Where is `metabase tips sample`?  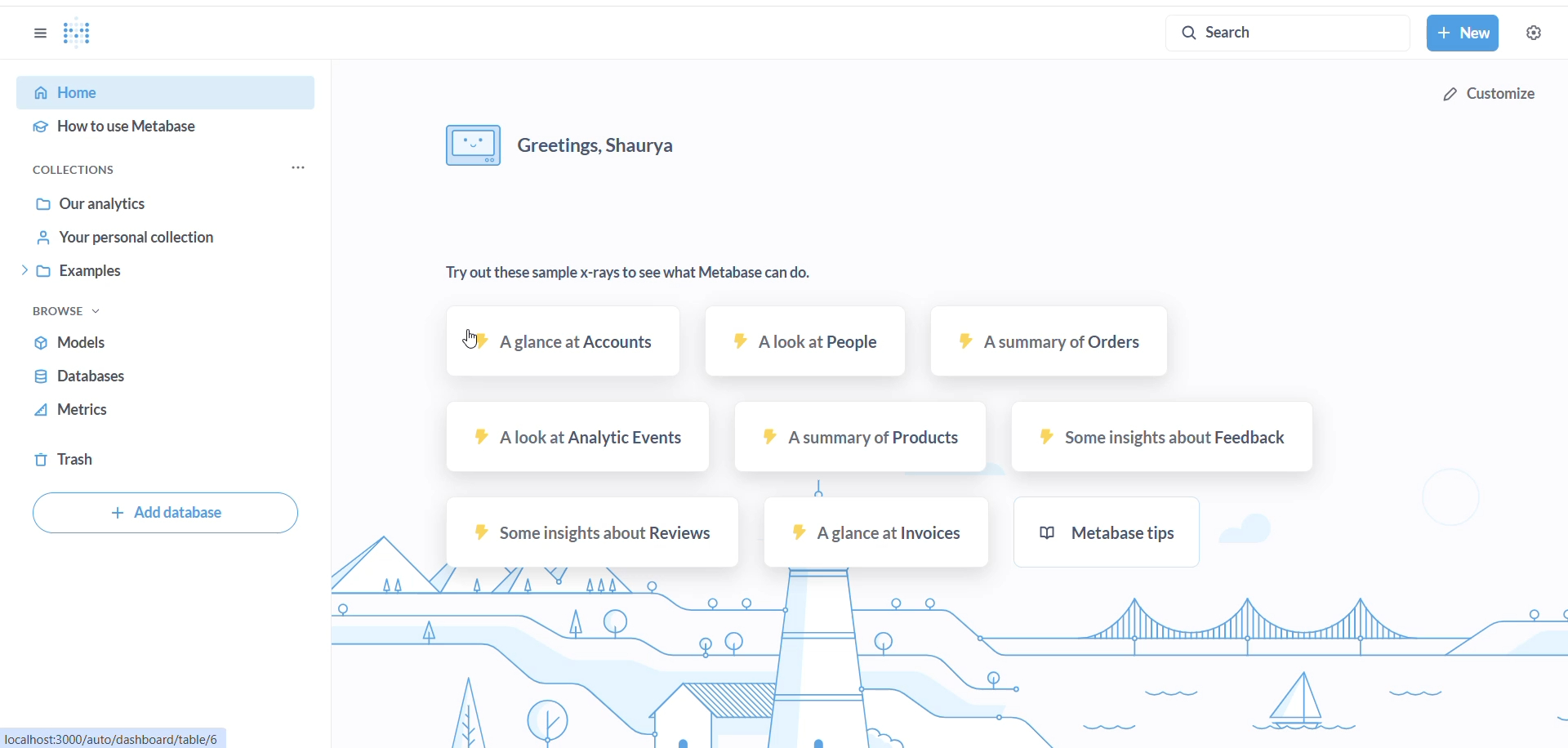 metabase tips sample is located at coordinates (1116, 529).